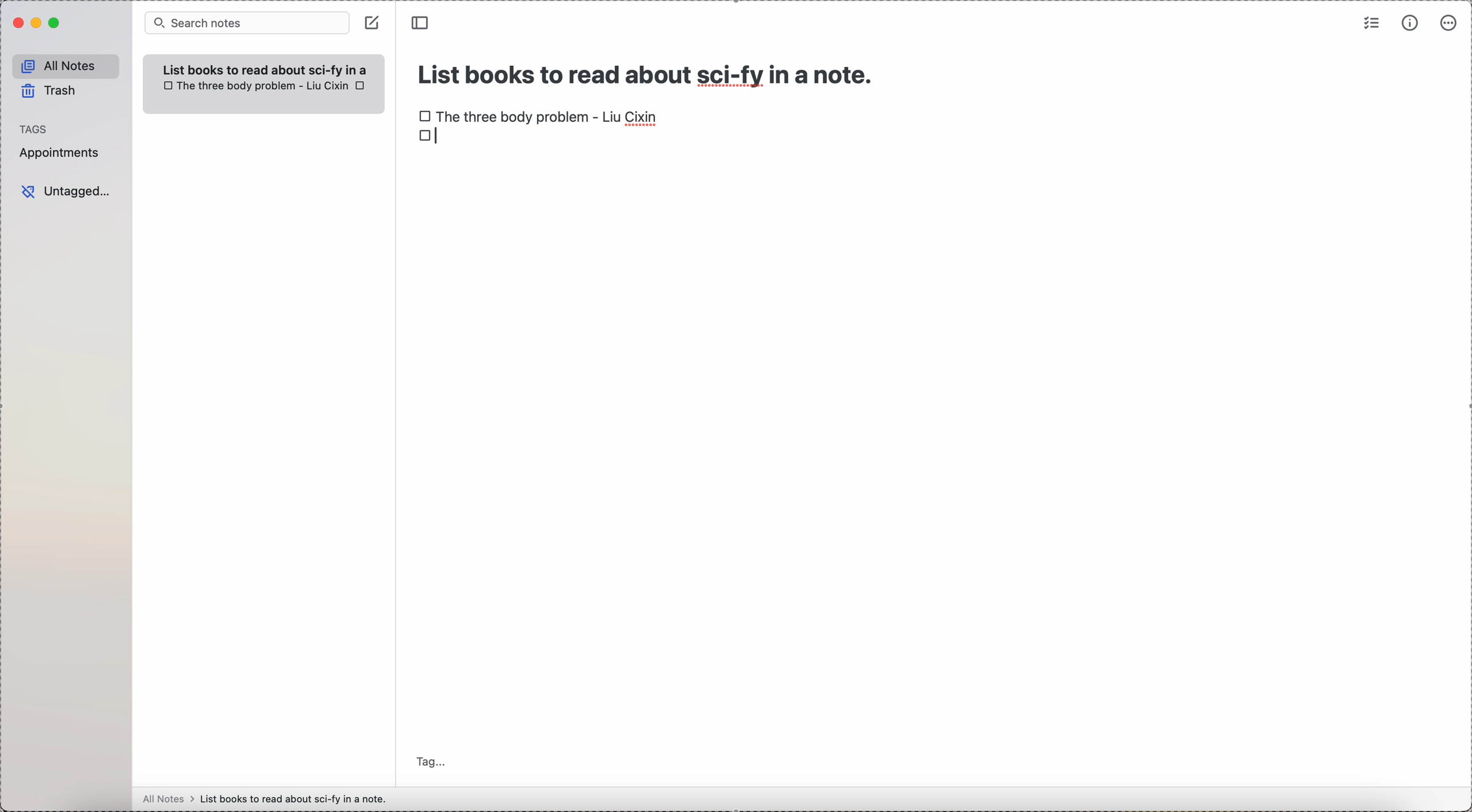 The height and width of the screenshot is (812, 1472). What do you see at coordinates (422, 22) in the screenshot?
I see `toggle sidebar` at bounding box center [422, 22].